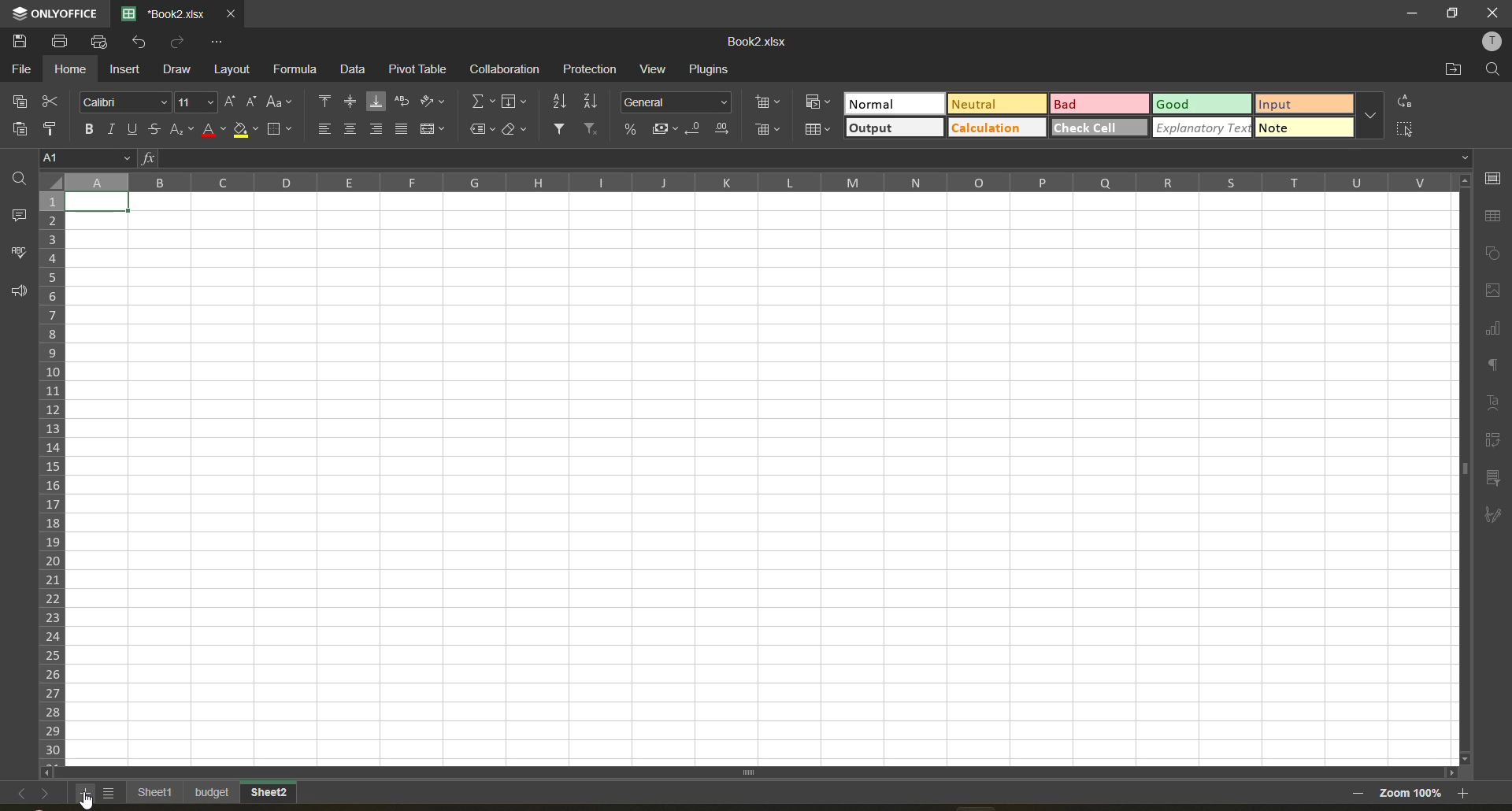 The height and width of the screenshot is (811, 1512). Describe the element at coordinates (1494, 254) in the screenshot. I see `shapes` at that location.